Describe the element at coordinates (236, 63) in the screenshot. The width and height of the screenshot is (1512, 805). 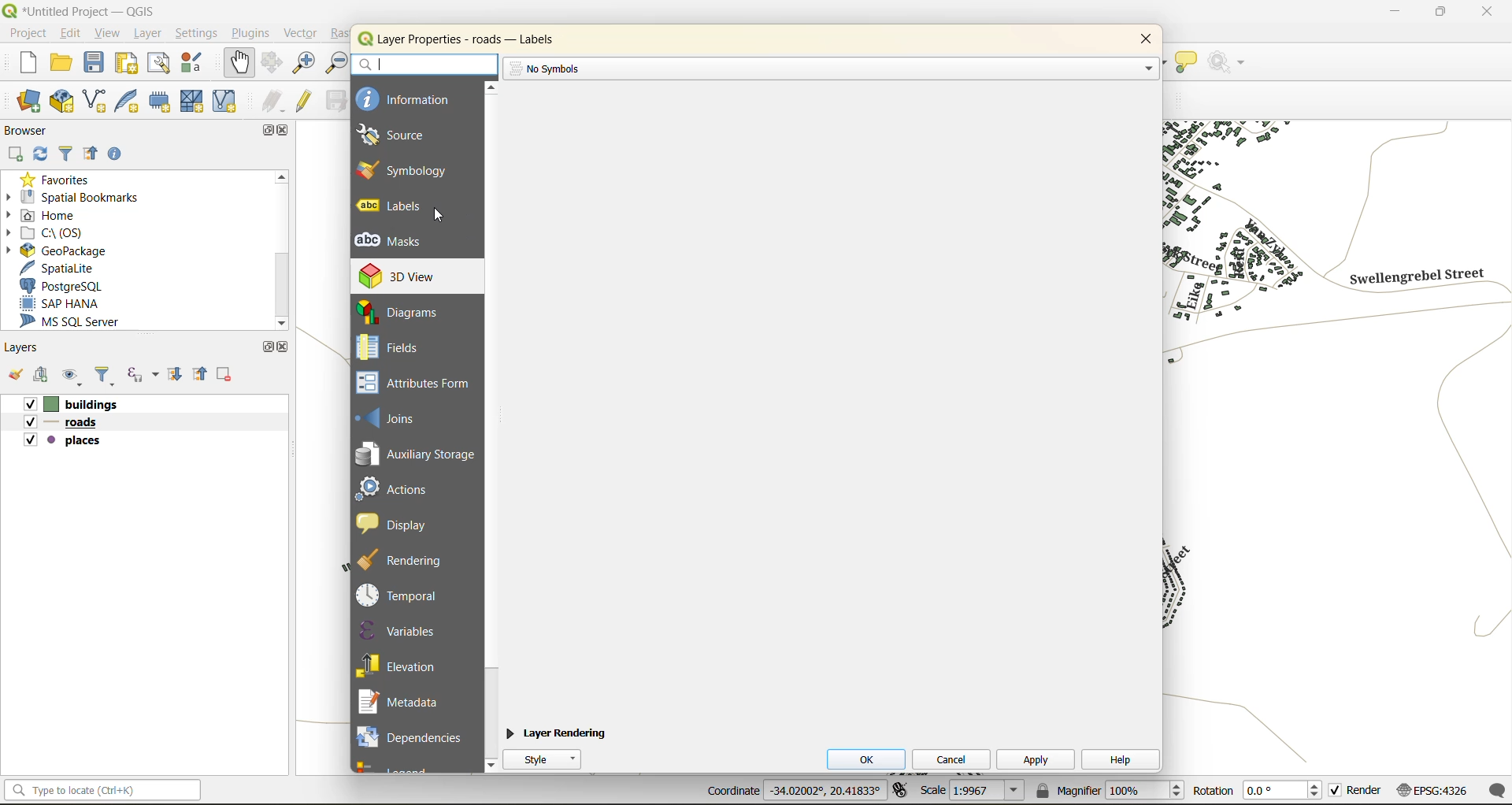
I see `pan map` at that location.